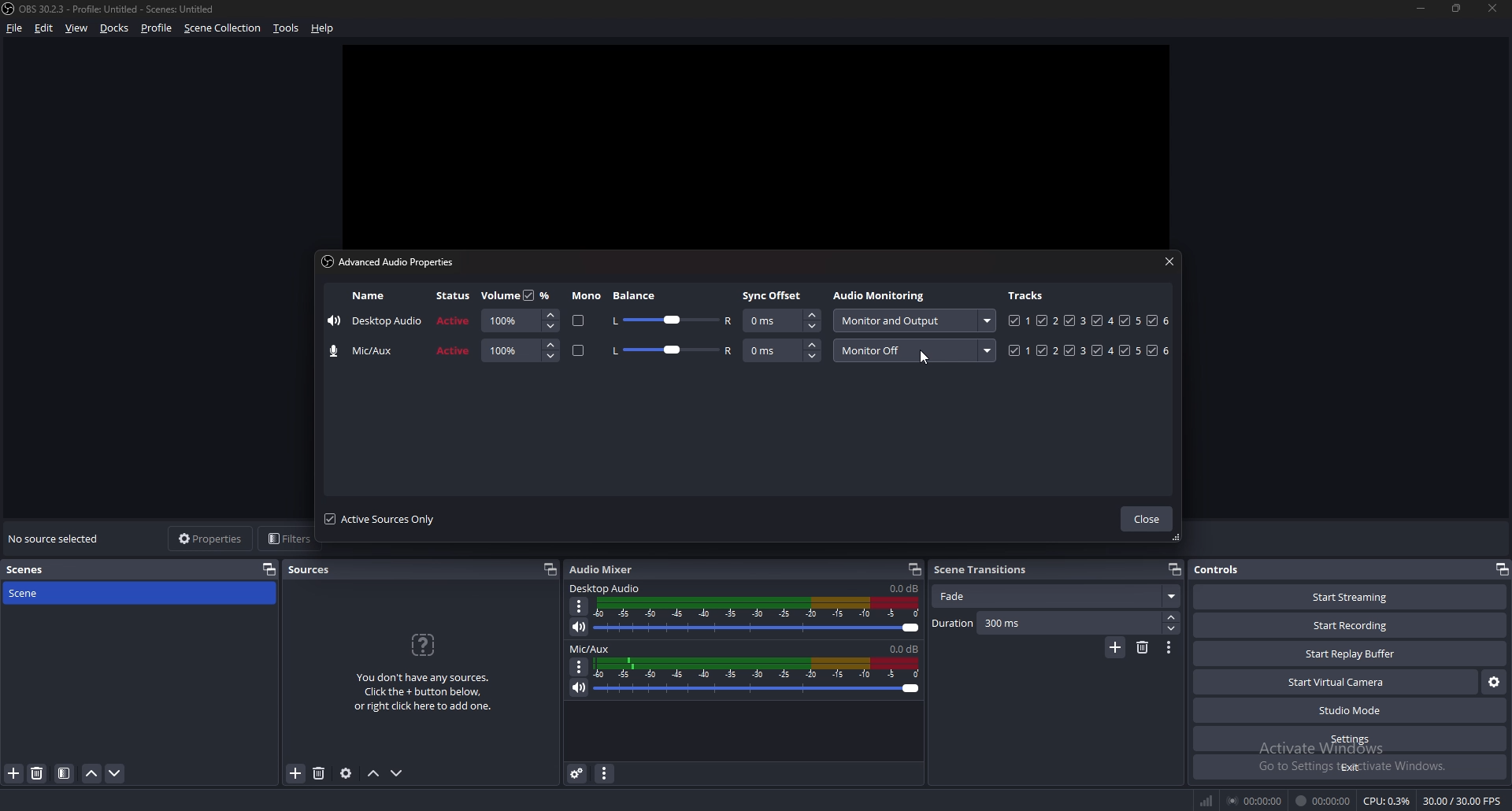 The image size is (1512, 811). What do you see at coordinates (1457, 8) in the screenshot?
I see `resize` at bounding box center [1457, 8].